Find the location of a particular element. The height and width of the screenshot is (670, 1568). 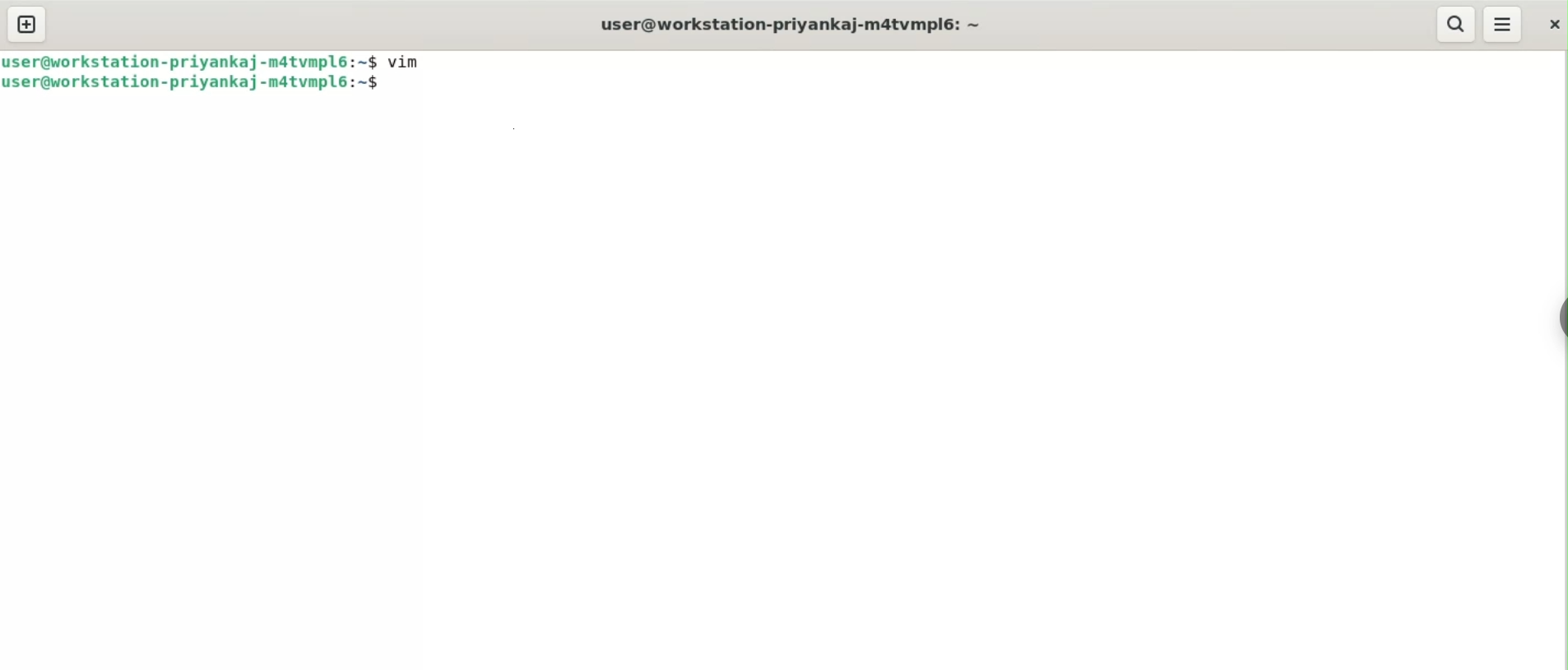

user@workstation-priyankaj-m4tvmpl6: ~ is located at coordinates (792, 22).